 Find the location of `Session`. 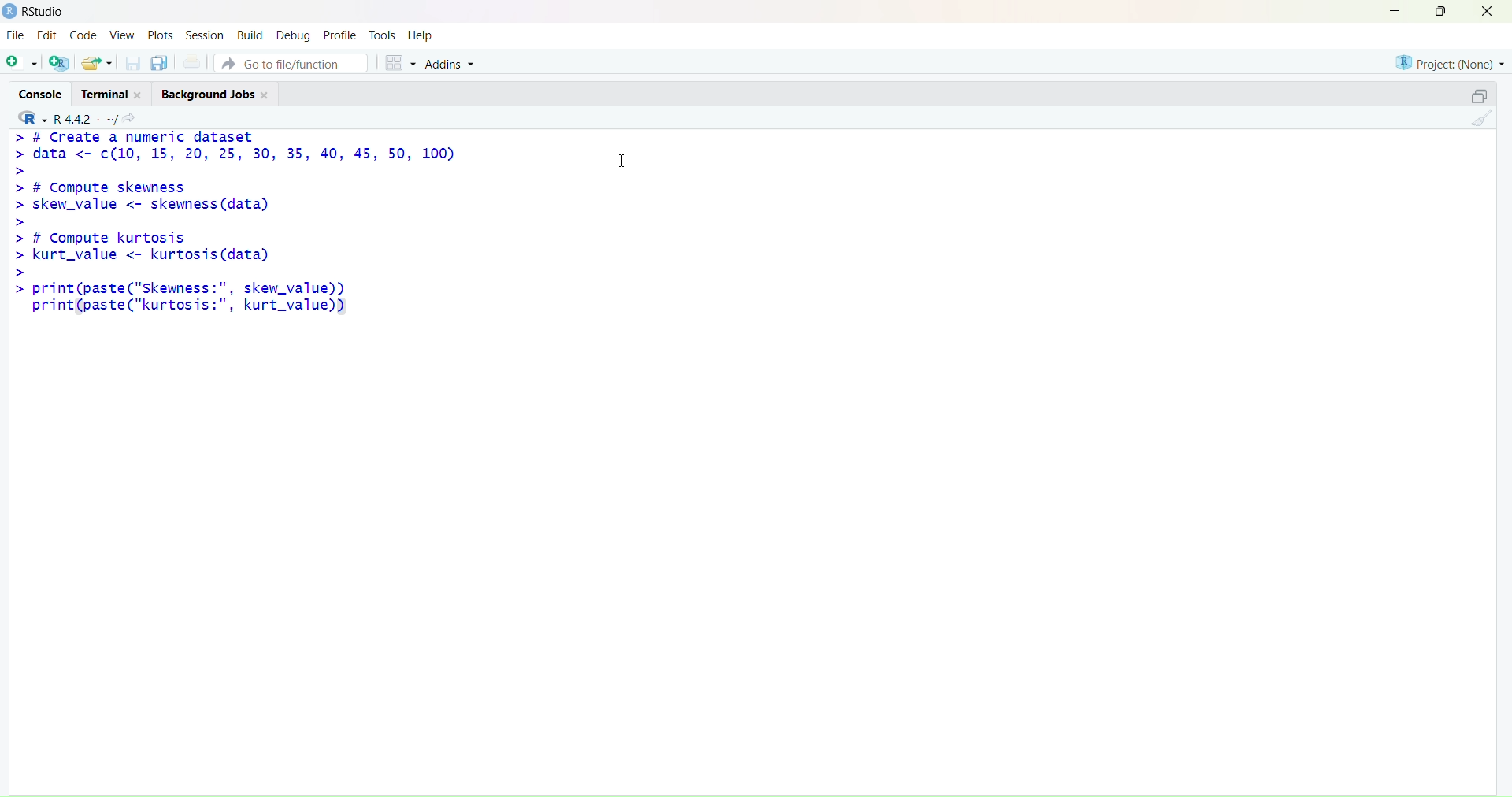

Session is located at coordinates (206, 35).